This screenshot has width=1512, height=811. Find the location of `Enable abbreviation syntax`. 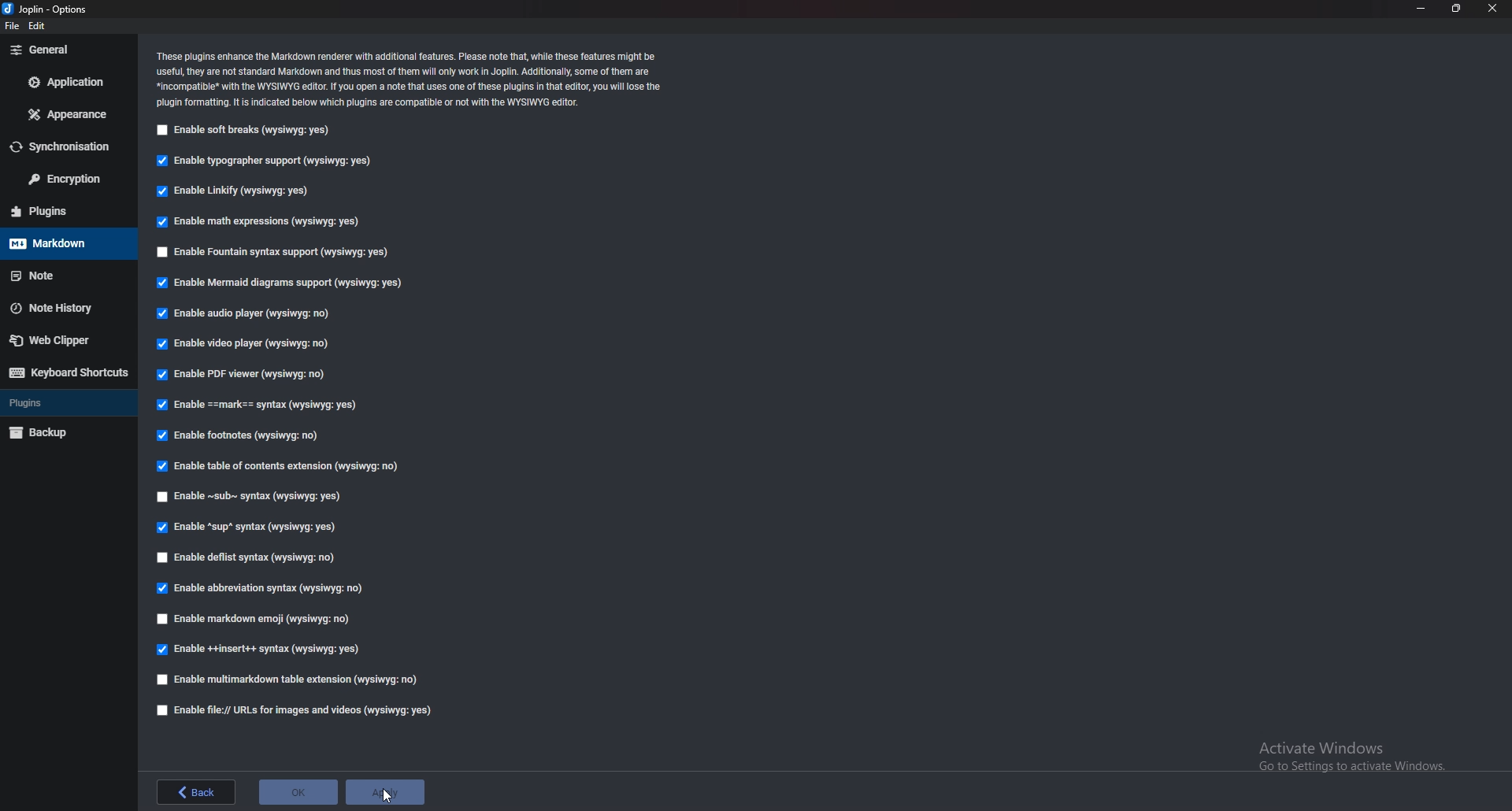

Enable abbreviation syntax is located at coordinates (268, 590).